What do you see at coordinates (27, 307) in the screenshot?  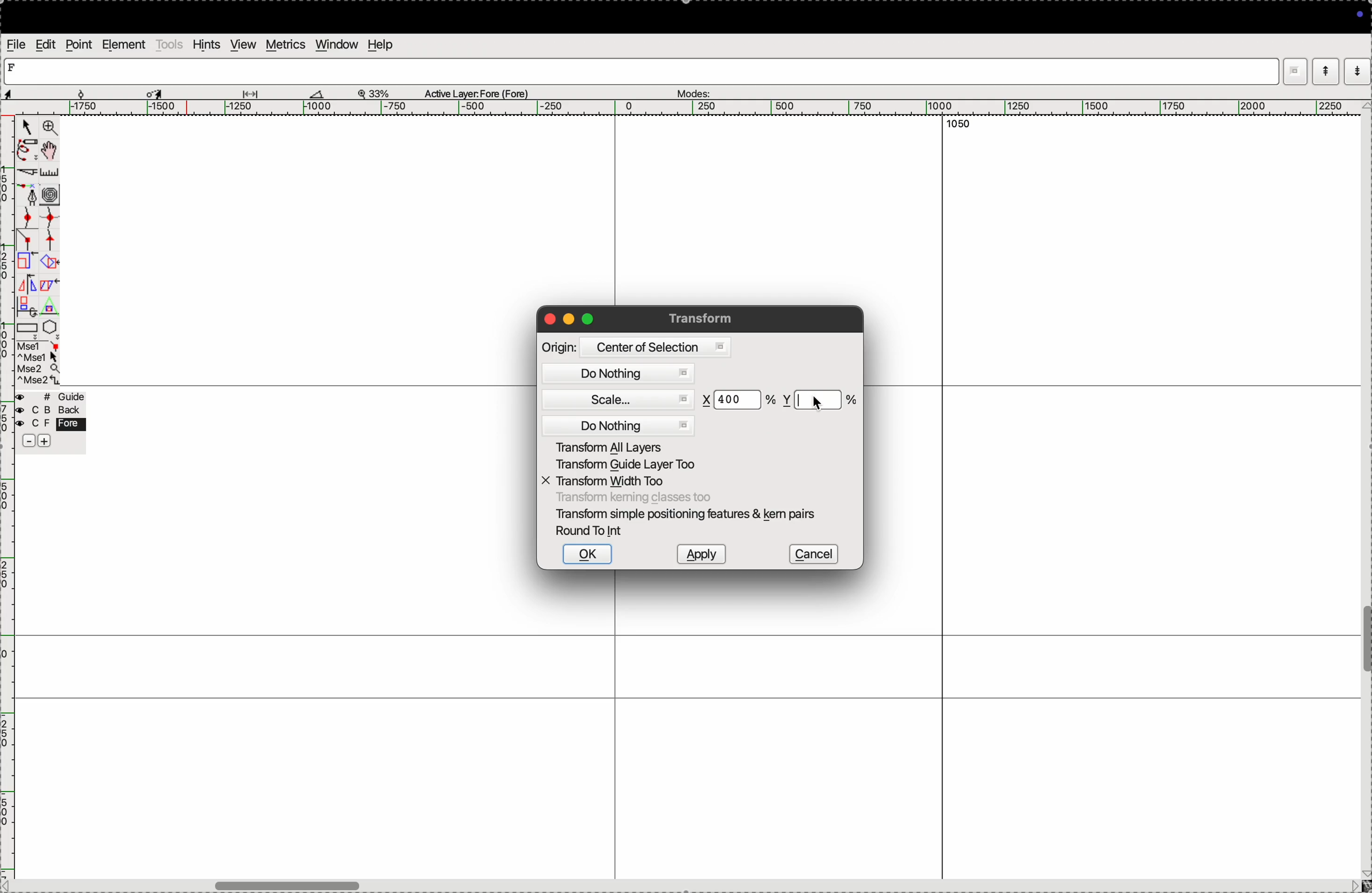 I see `duplicate` at bounding box center [27, 307].